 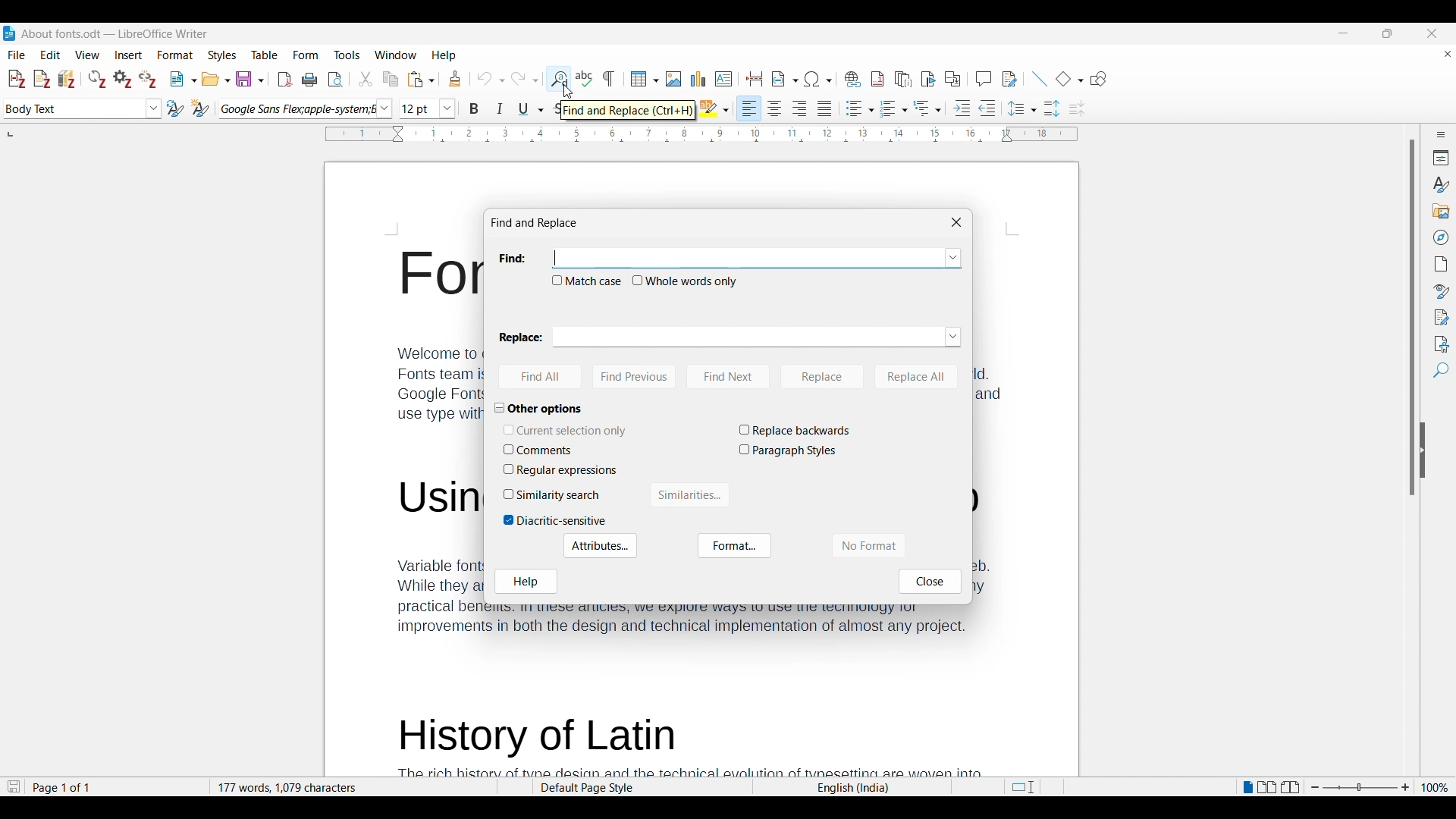 What do you see at coordinates (365, 79) in the screenshot?
I see `Cut` at bounding box center [365, 79].